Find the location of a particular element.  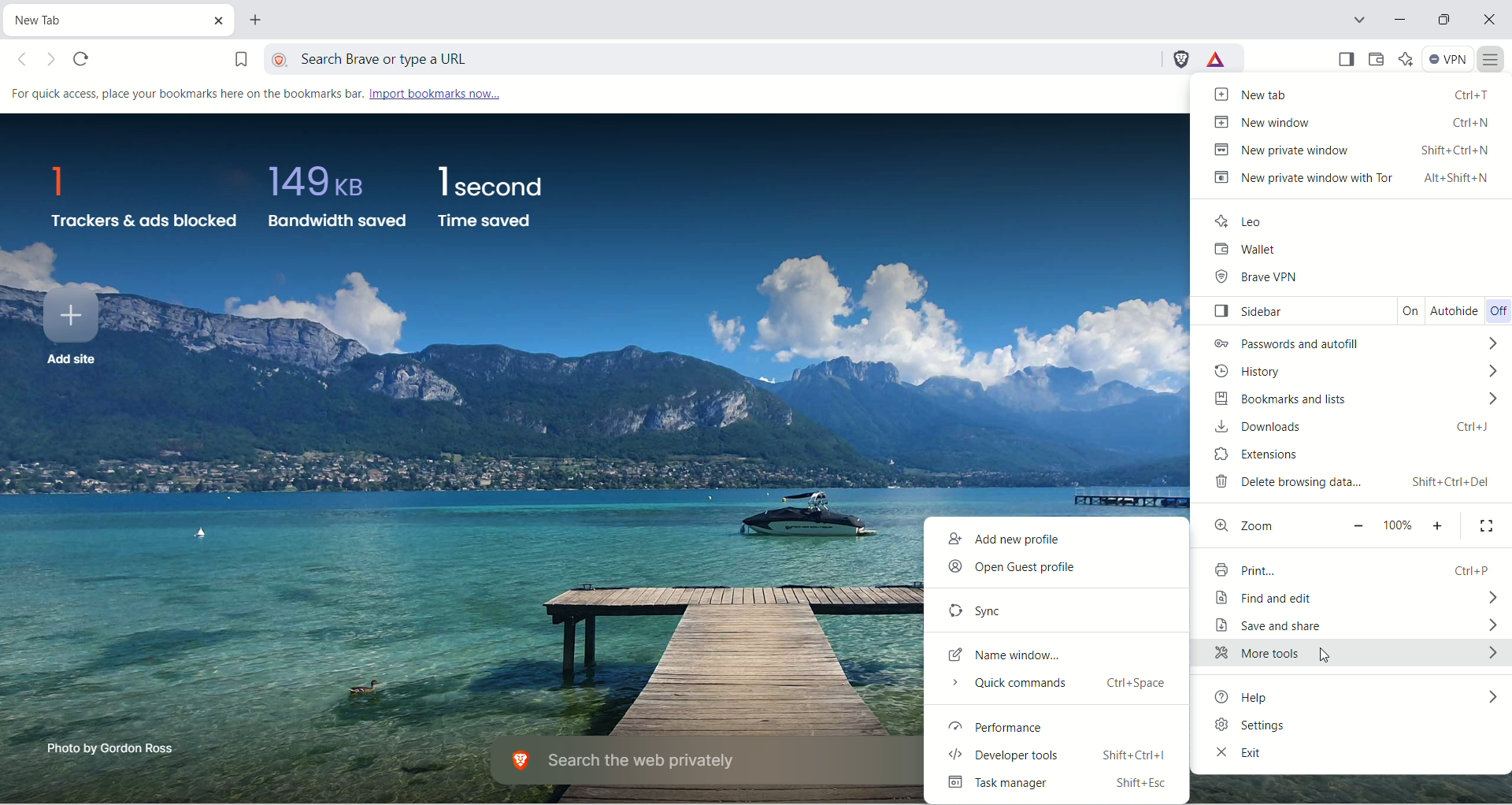

go backward is located at coordinates (27, 60).